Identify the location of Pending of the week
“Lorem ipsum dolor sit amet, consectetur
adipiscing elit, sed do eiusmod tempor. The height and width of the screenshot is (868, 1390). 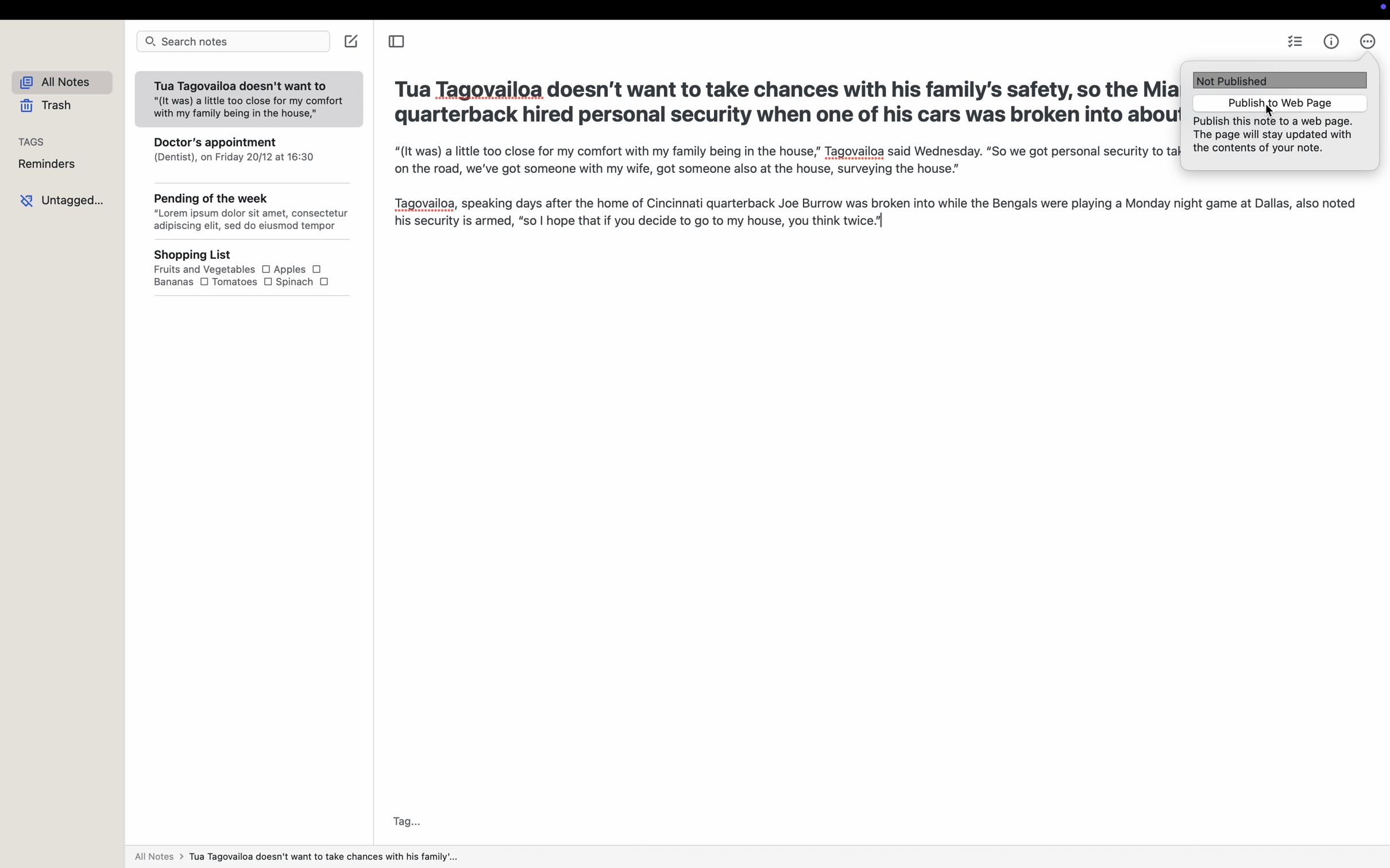
(252, 214).